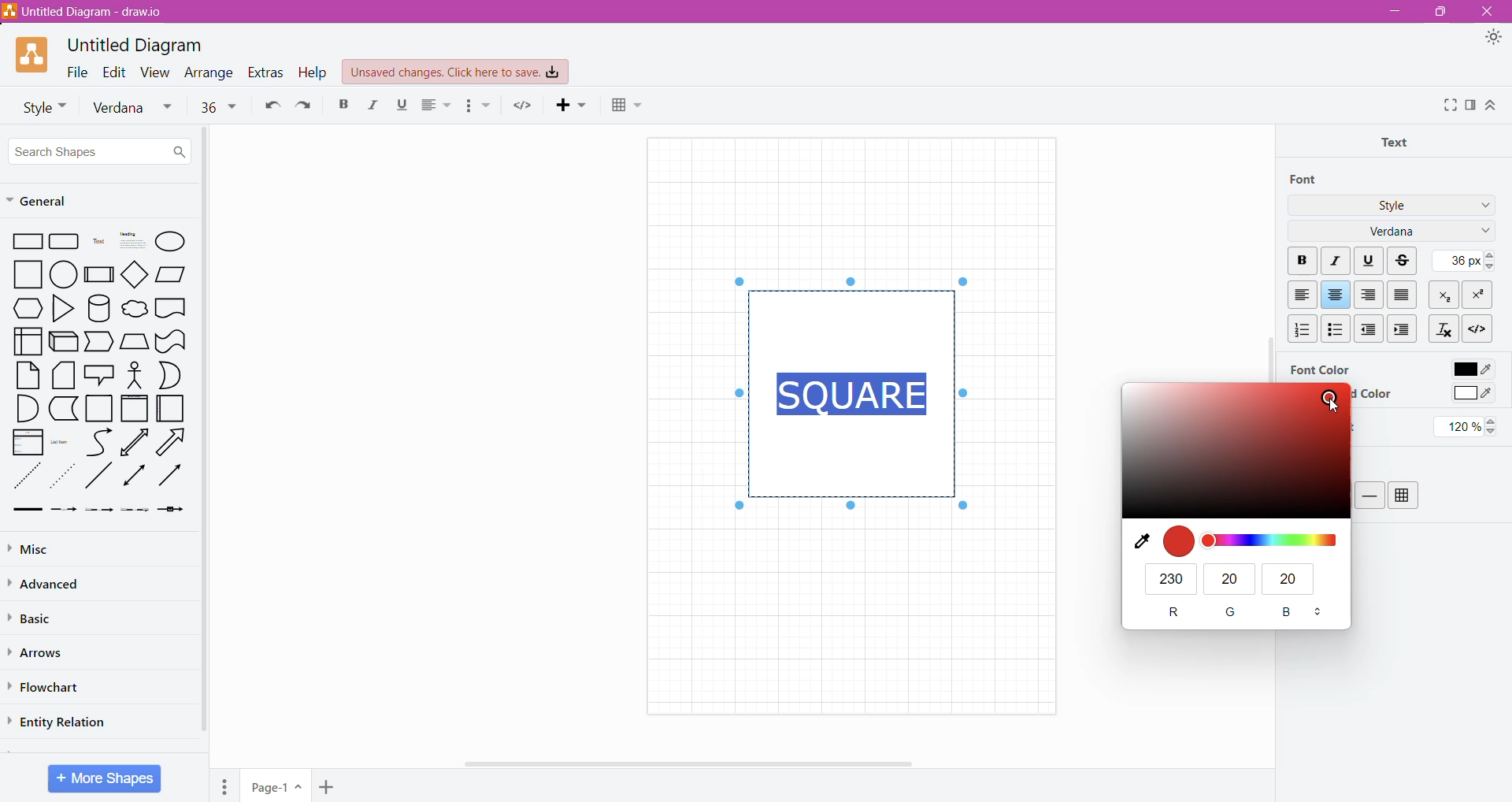 This screenshot has width=1512, height=802. I want to click on Underline, so click(1369, 259).